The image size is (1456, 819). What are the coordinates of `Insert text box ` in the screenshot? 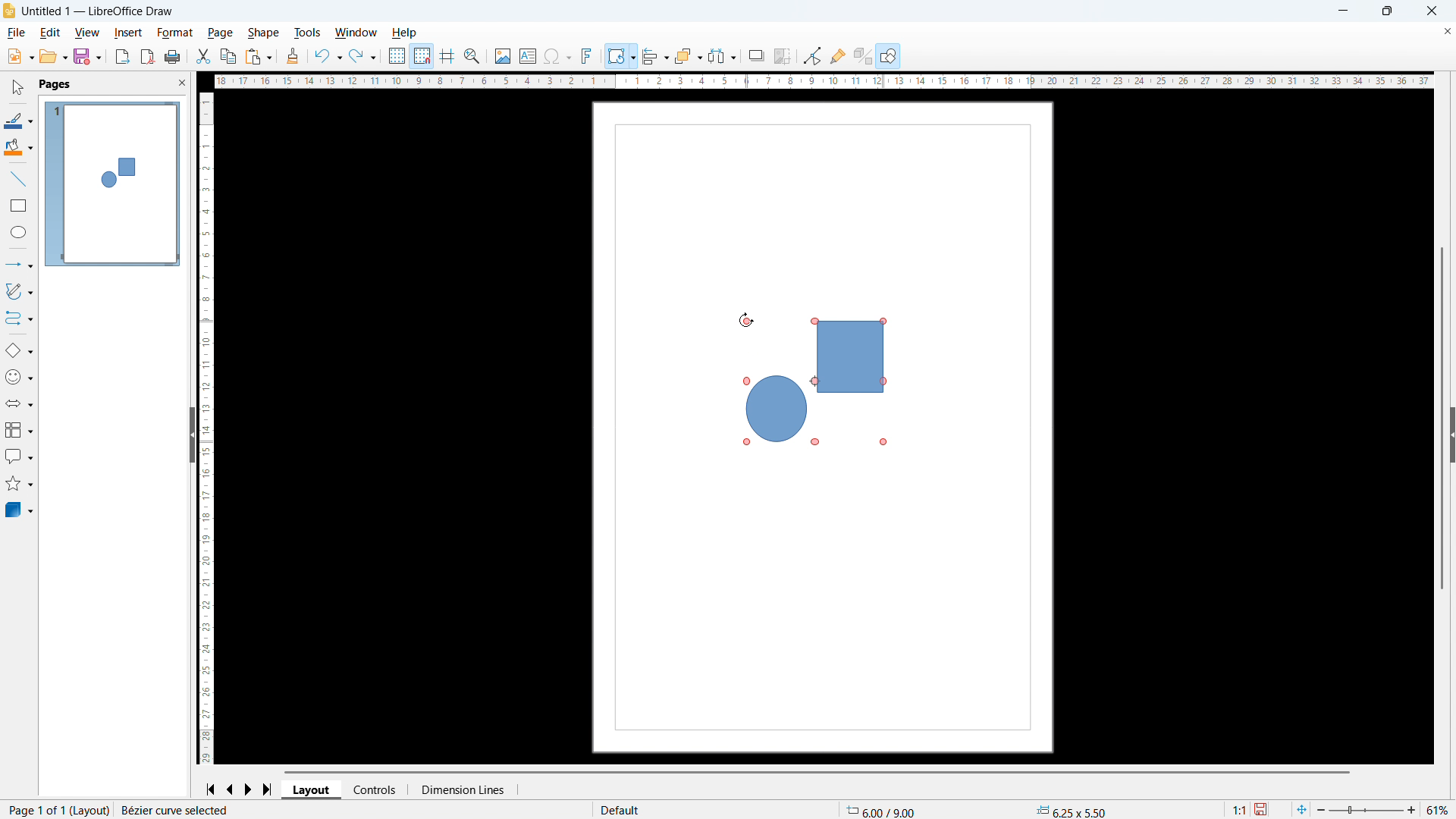 It's located at (528, 56).